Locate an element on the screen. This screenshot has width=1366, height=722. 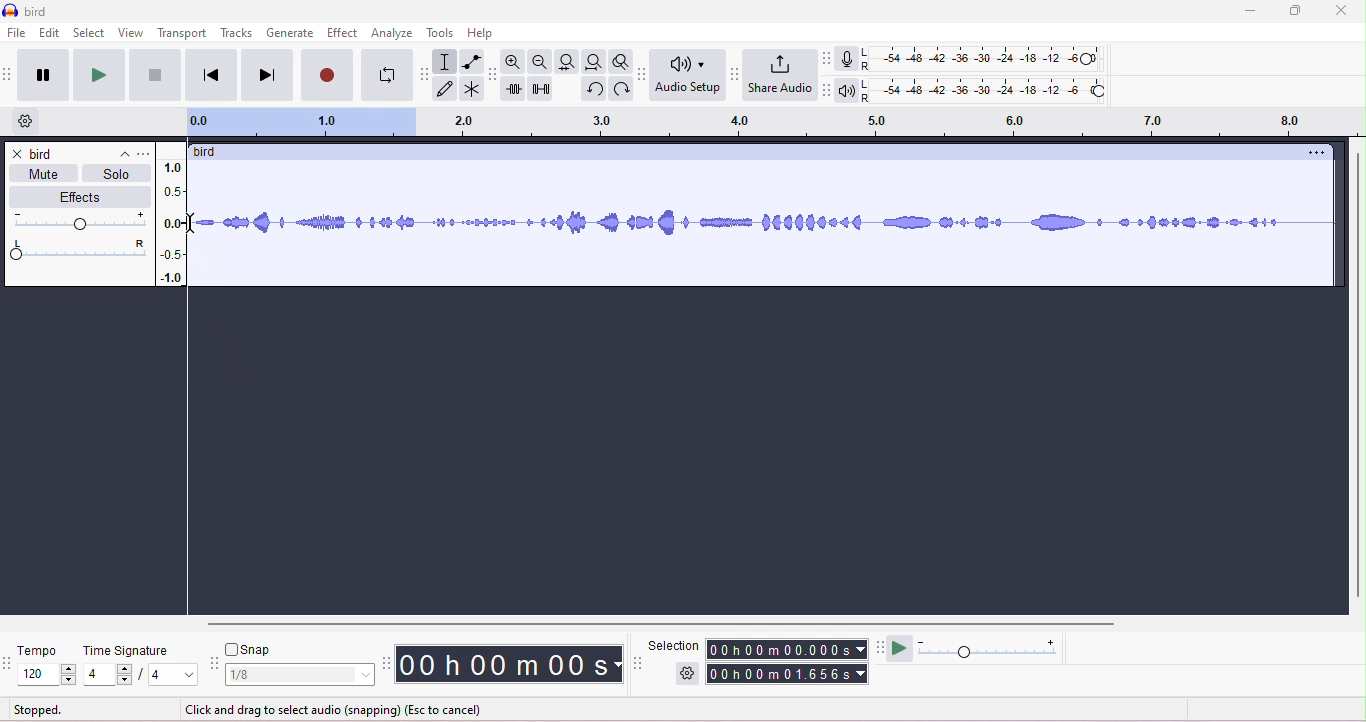
4/4 (select time signature) is located at coordinates (140, 676).